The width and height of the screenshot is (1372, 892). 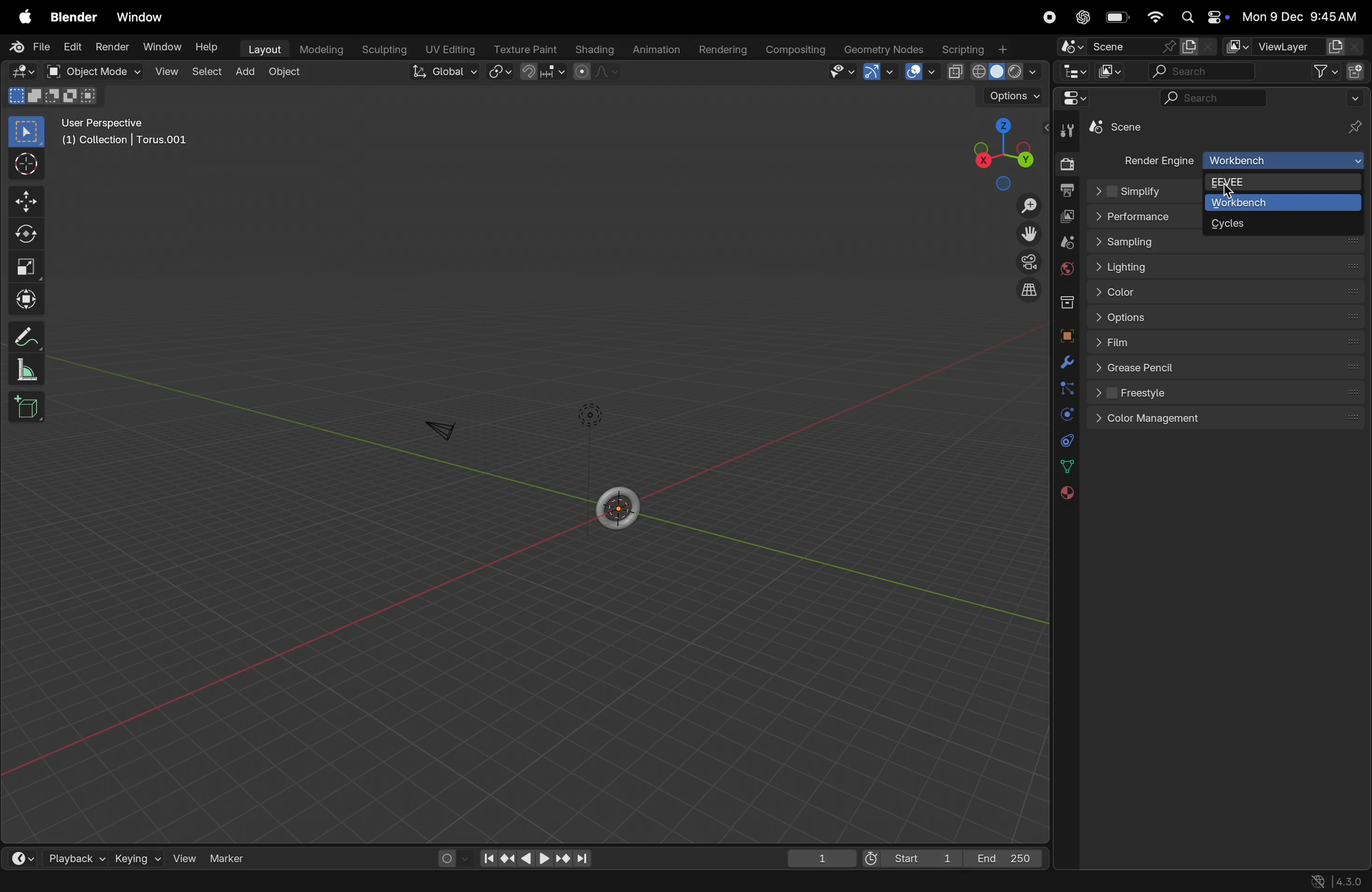 What do you see at coordinates (1118, 17) in the screenshot?
I see `battery` at bounding box center [1118, 17].